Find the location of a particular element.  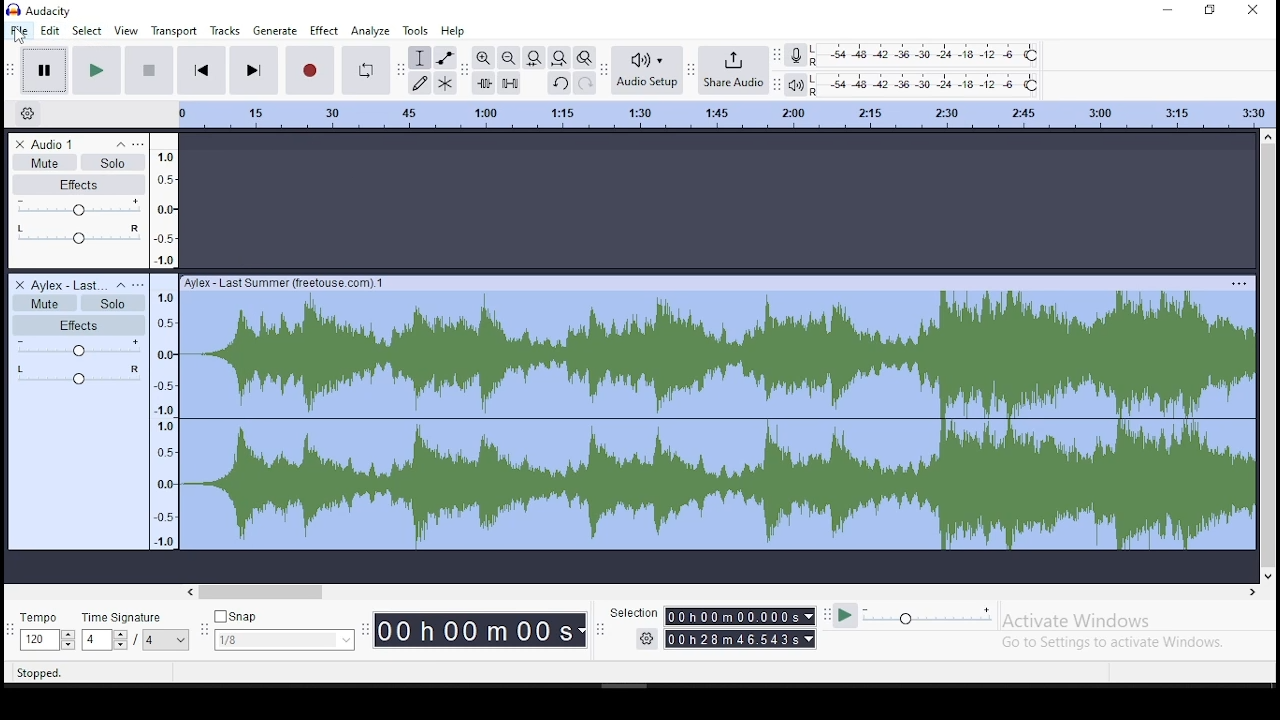

skip to end is located at coordinates (255, 69).